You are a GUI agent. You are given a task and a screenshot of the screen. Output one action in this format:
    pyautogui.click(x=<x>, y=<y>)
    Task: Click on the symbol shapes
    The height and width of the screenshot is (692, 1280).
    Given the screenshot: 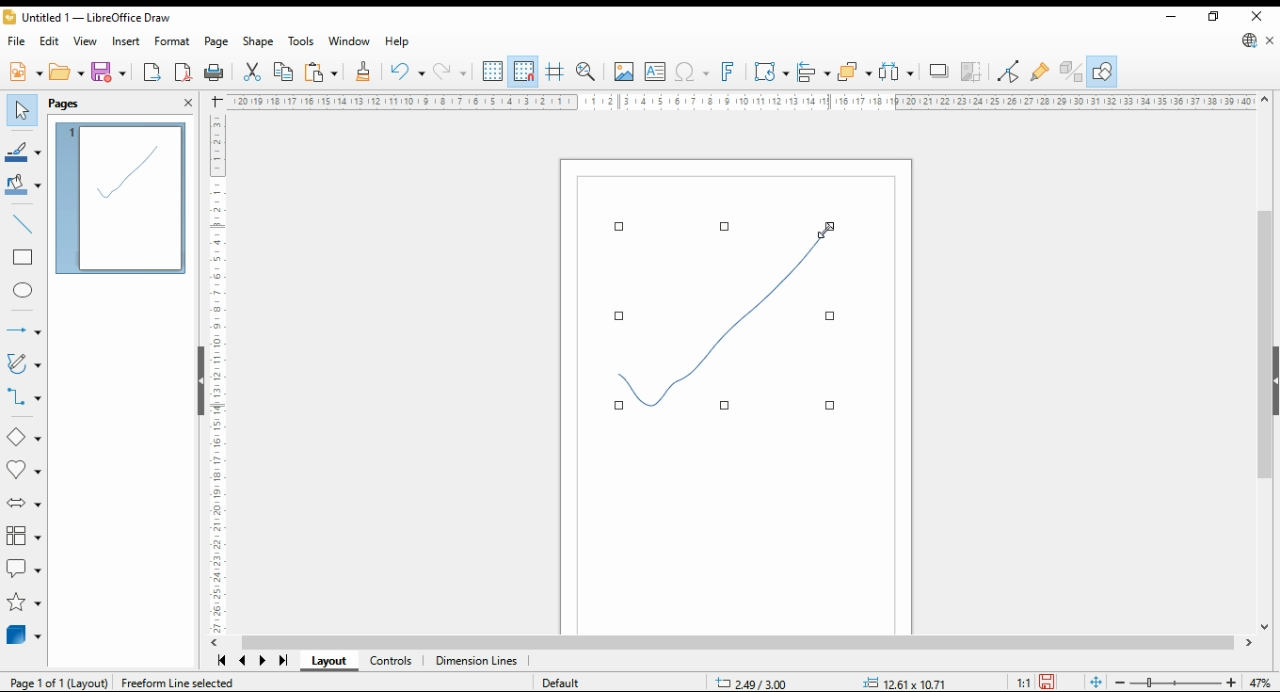 What is the action you would take?
    pyautogui.click(x=23, y=471)
    